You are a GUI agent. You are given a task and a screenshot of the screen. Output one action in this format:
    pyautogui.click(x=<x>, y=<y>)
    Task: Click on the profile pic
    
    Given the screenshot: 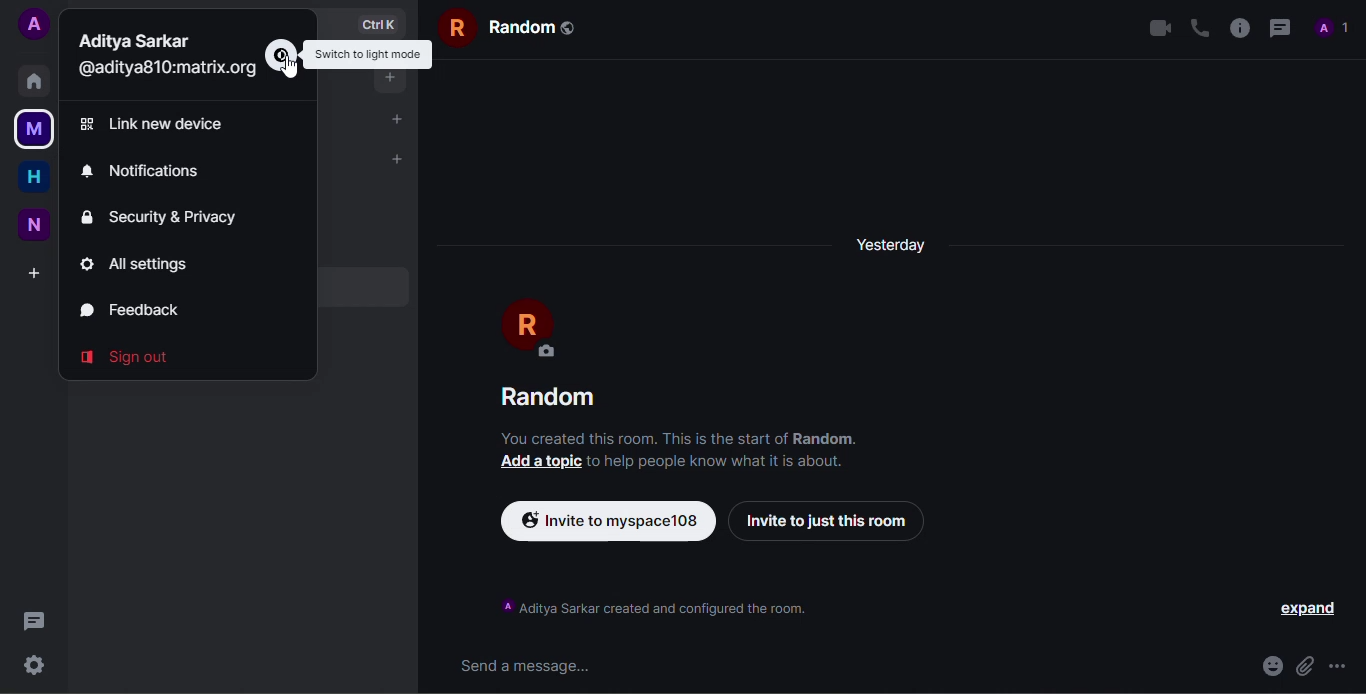 What is the action you would take?
    pyautogui.click(x=536, y=329)
    